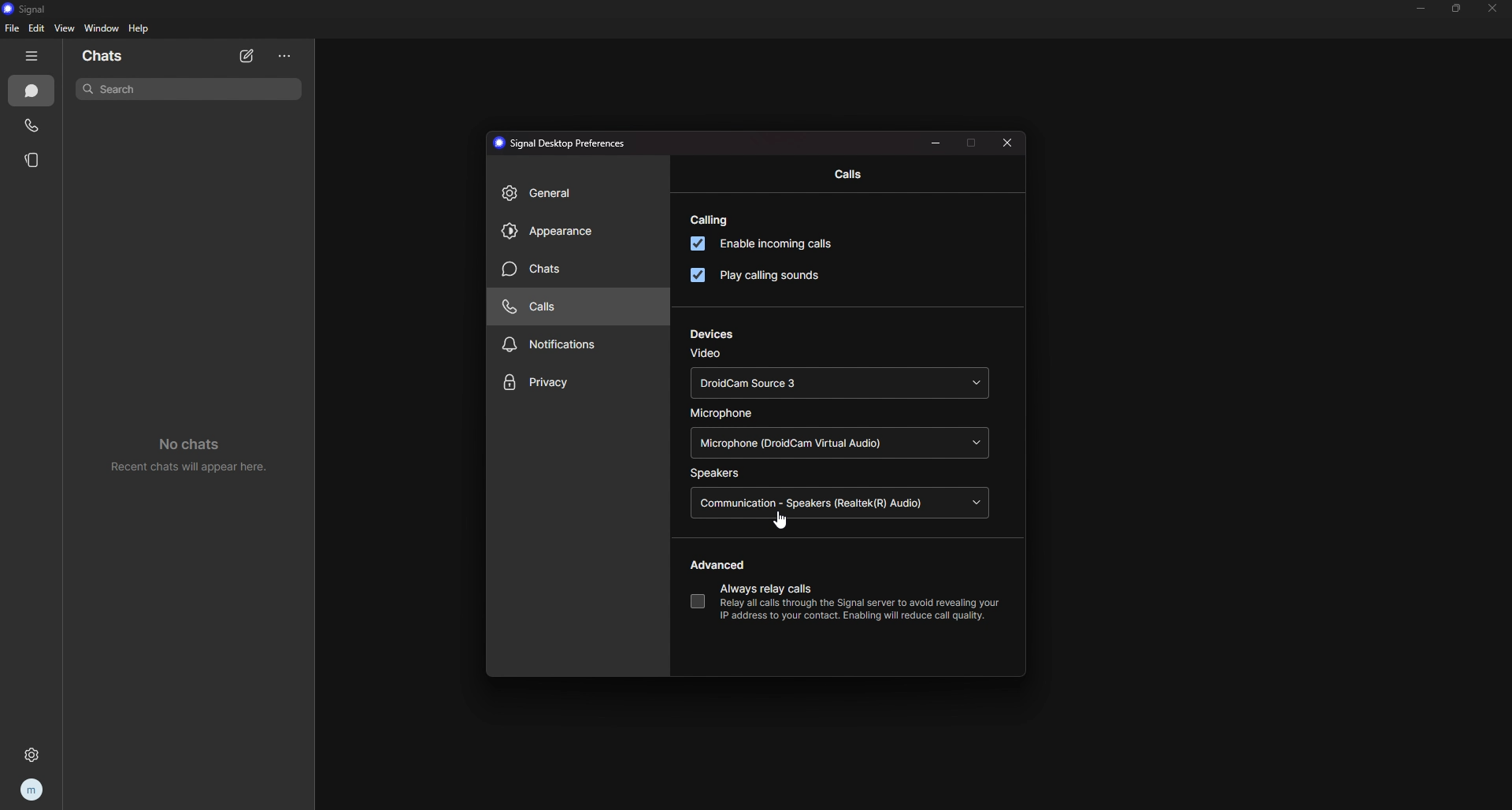 This screenshot has height=810, width=1512. Describe the element at coordinates (579, 382) in the screenshot. I see `privacy` at that location.